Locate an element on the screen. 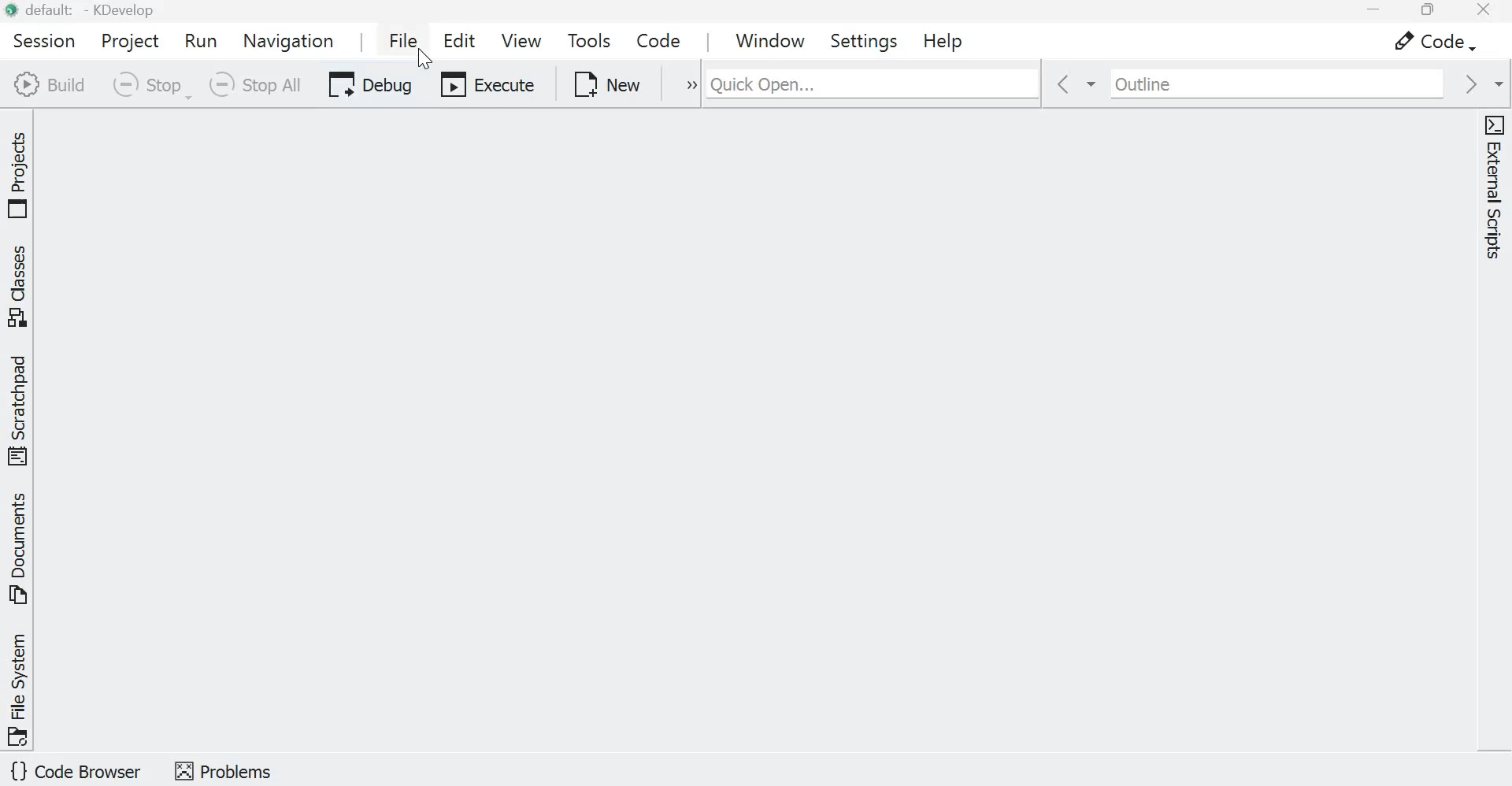 The height and width of the screenshot is (786, 1512). Toggle 'Documents' tool view is located at coordinates (21, 550).